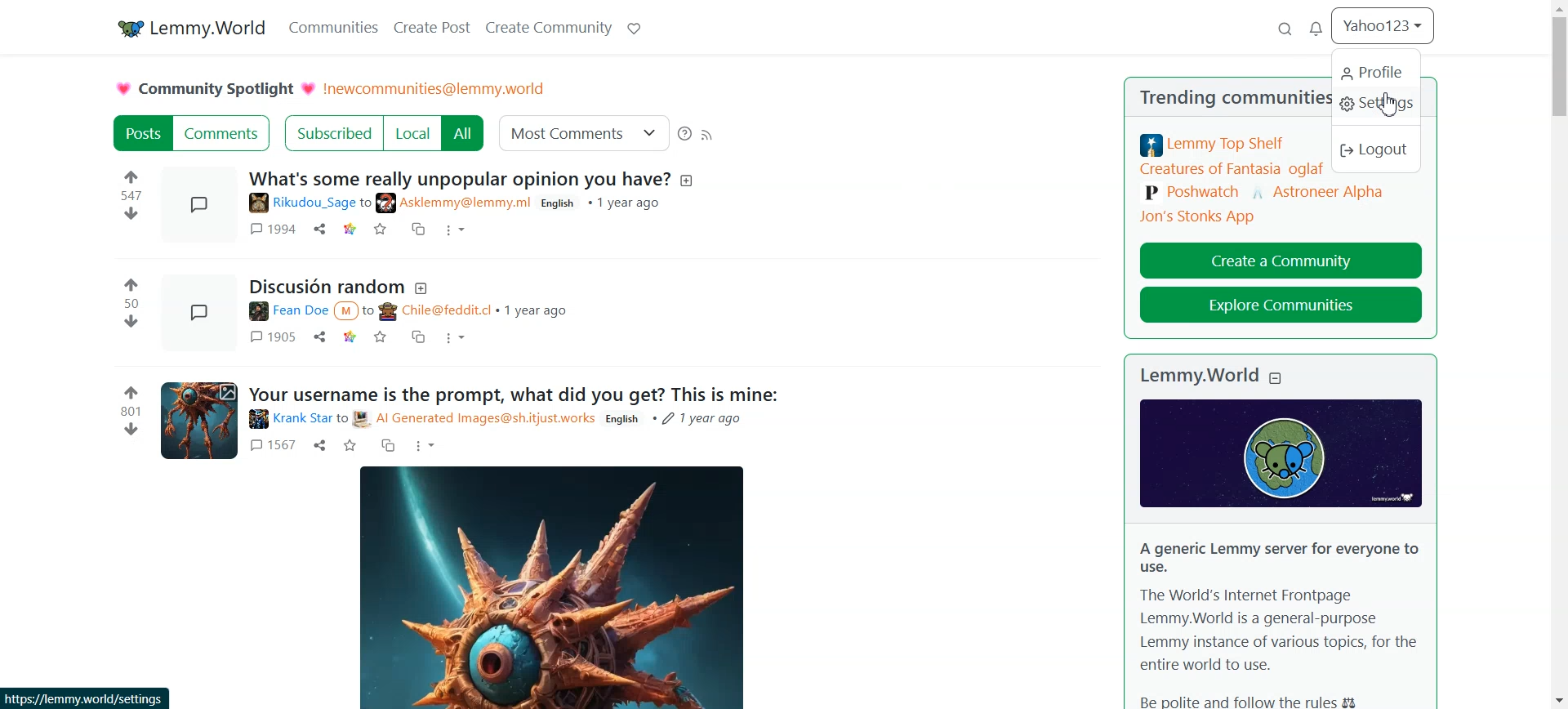 This screenshot has height=709, width=1568. Describe the element at coordinates (1173, 96) in the screenshot. I see `trending ` at that location.